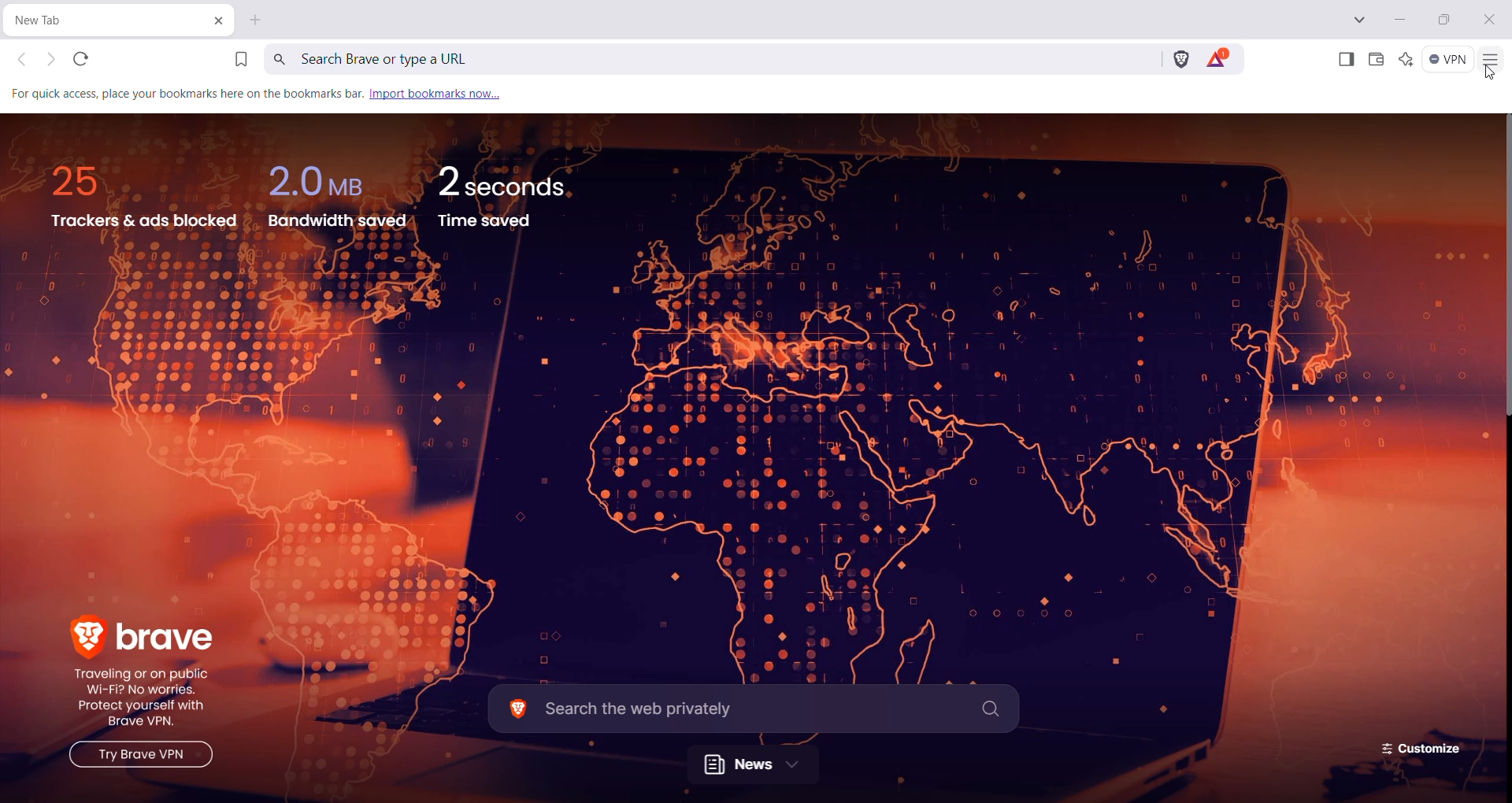 Image resolution: width=1512 pixels, height=803 pixels. Describe the element at coordinates (1491, 22) in the screenshot. I see `Close` at that location.